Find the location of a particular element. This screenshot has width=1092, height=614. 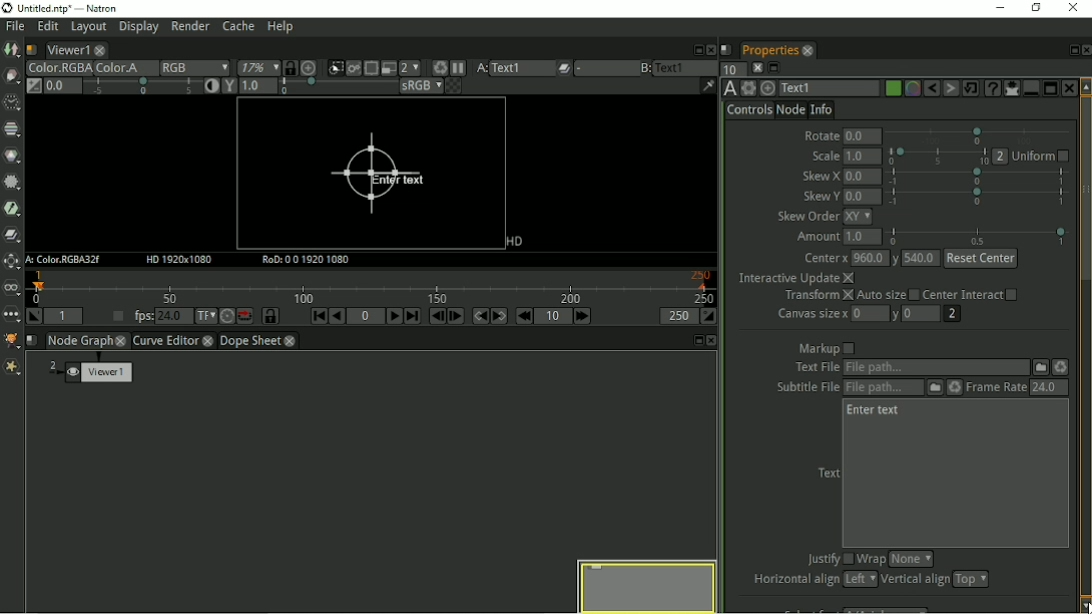

selection bar is located at coordinates (937, 156).